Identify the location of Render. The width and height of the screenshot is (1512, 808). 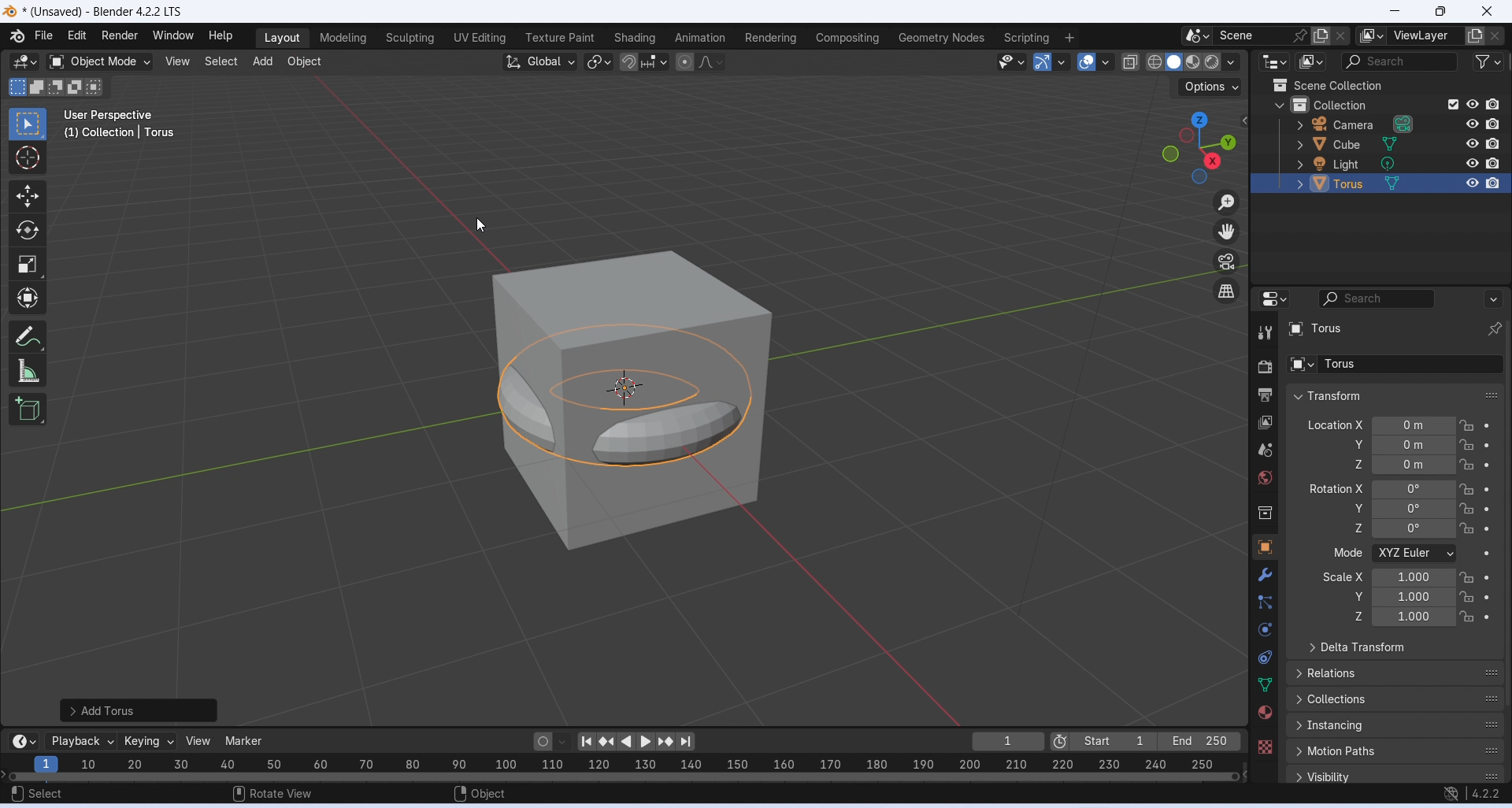
(120, 35).